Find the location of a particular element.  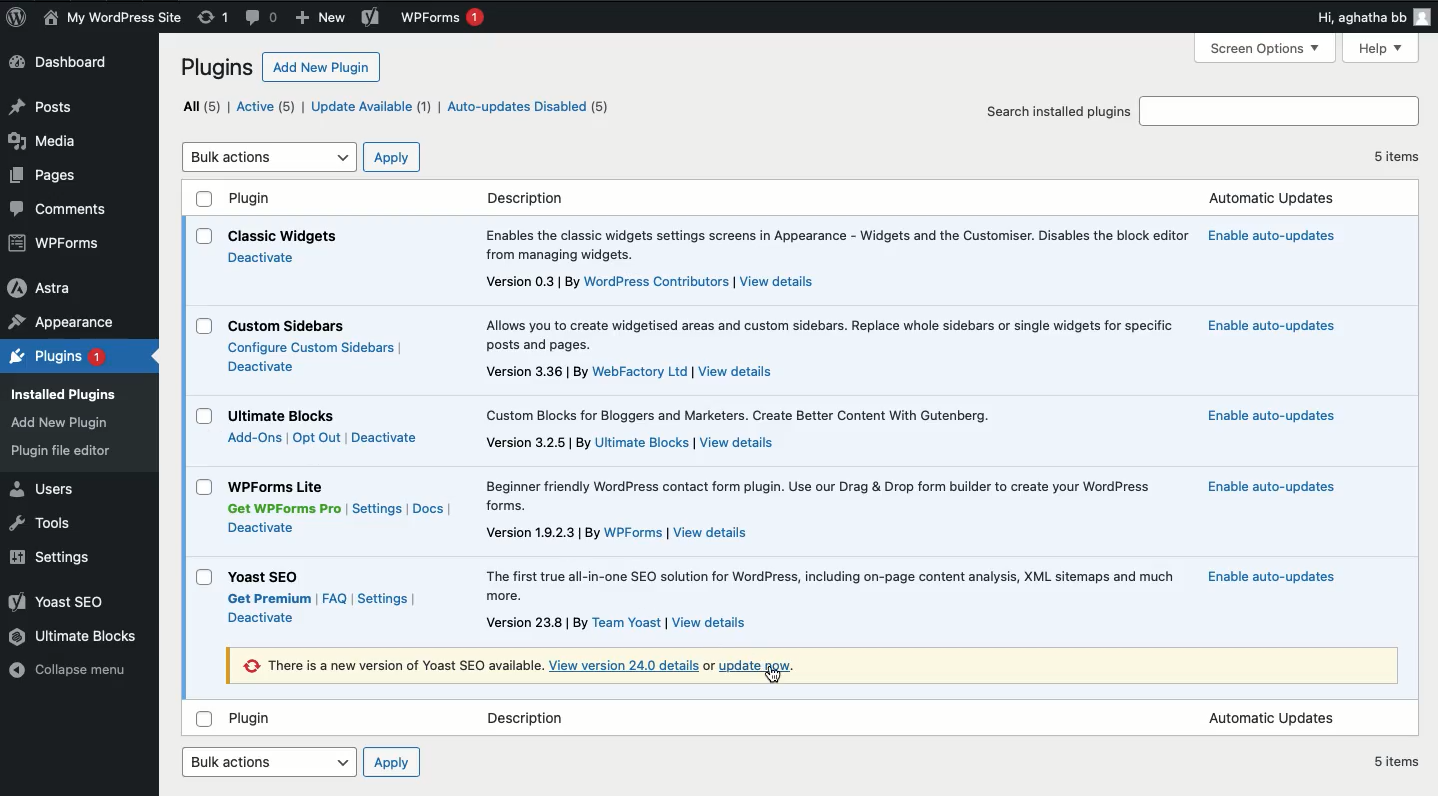

Description is located at coordinates (526, 198).